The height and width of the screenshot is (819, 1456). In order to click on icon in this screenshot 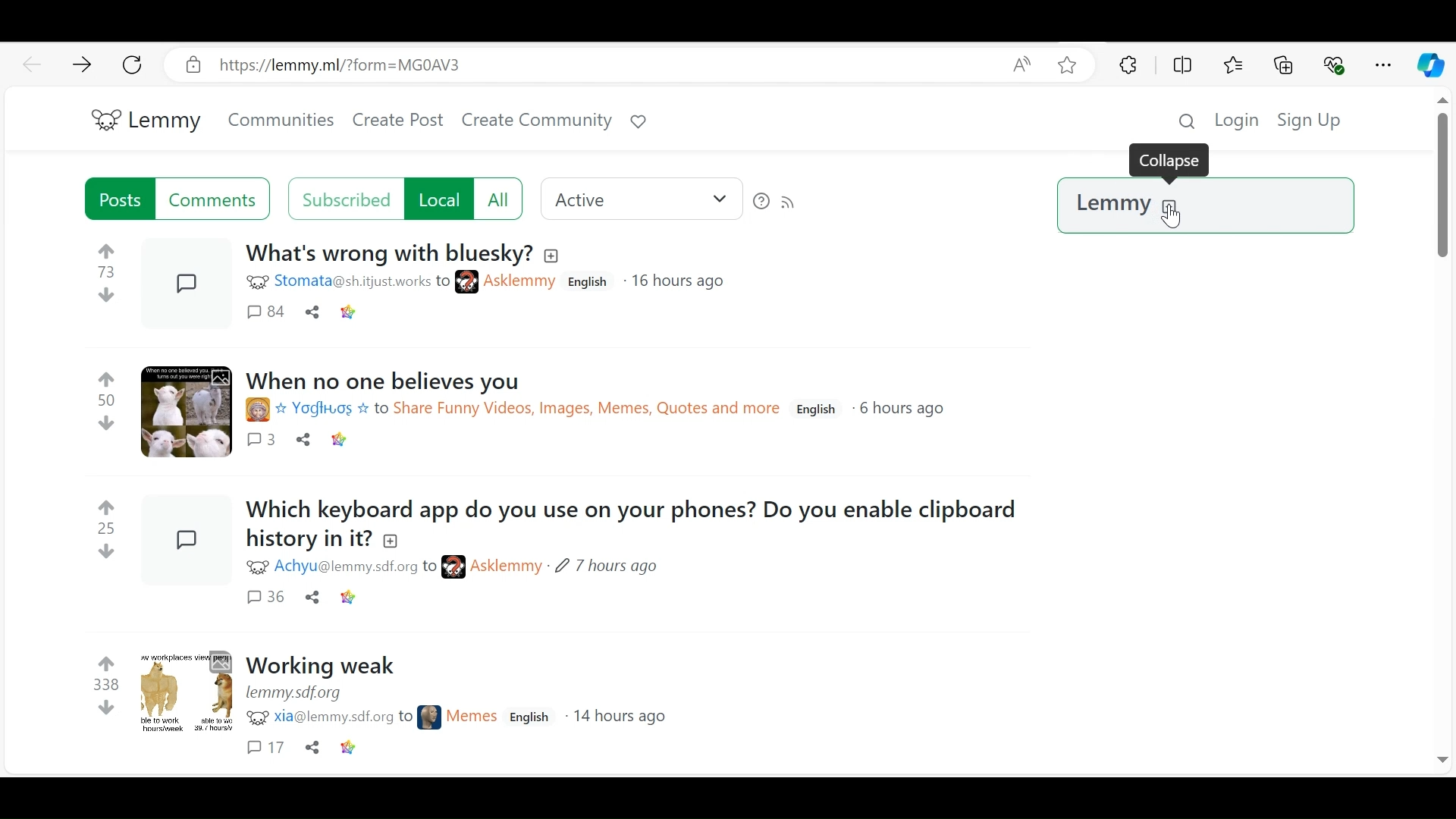, I will do `click(252, 567)`.